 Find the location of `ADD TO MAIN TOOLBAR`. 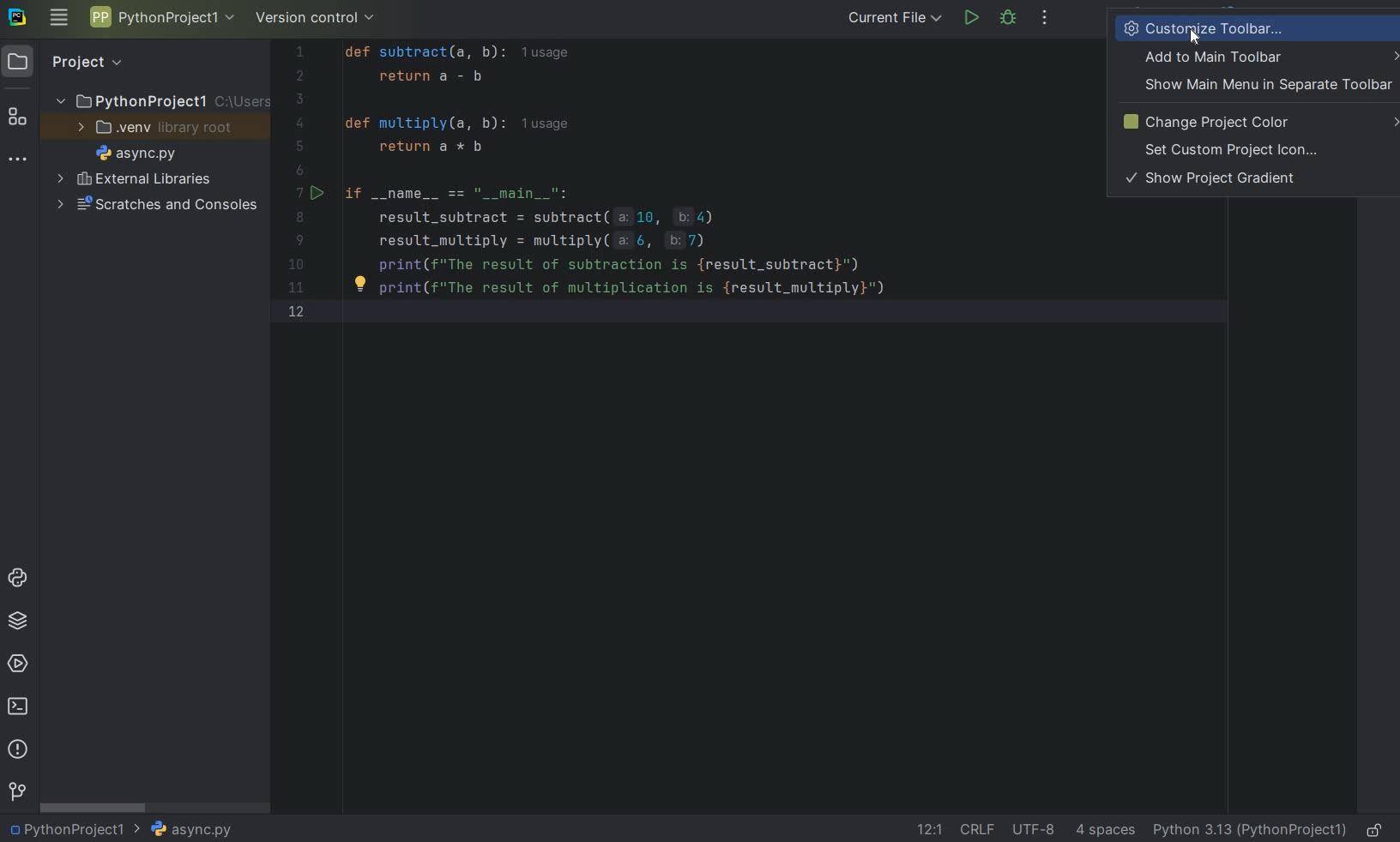

ADD TO MAIN TOOLBAR is located at coordinates (1268, 57).